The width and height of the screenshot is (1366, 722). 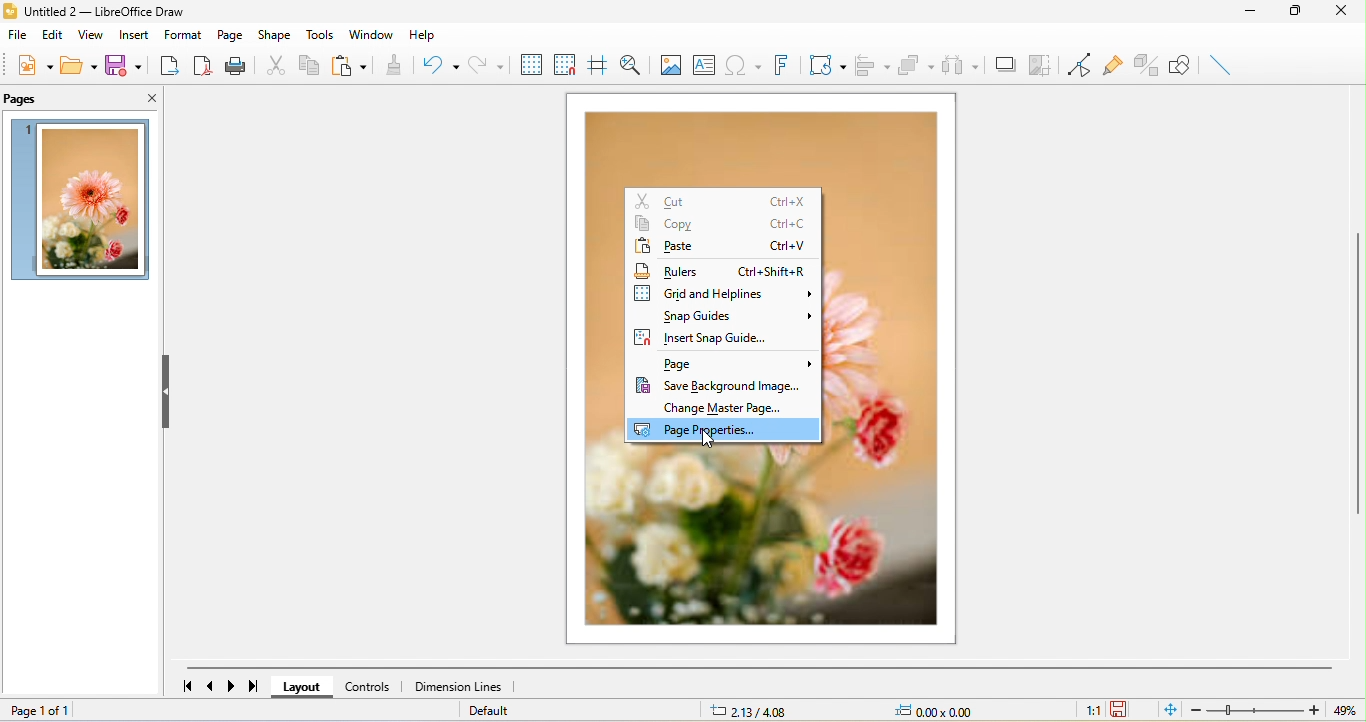 What do you see at coordinates (33, 62) in the screenshot?
I see `new` at bounding box center [33, 62].